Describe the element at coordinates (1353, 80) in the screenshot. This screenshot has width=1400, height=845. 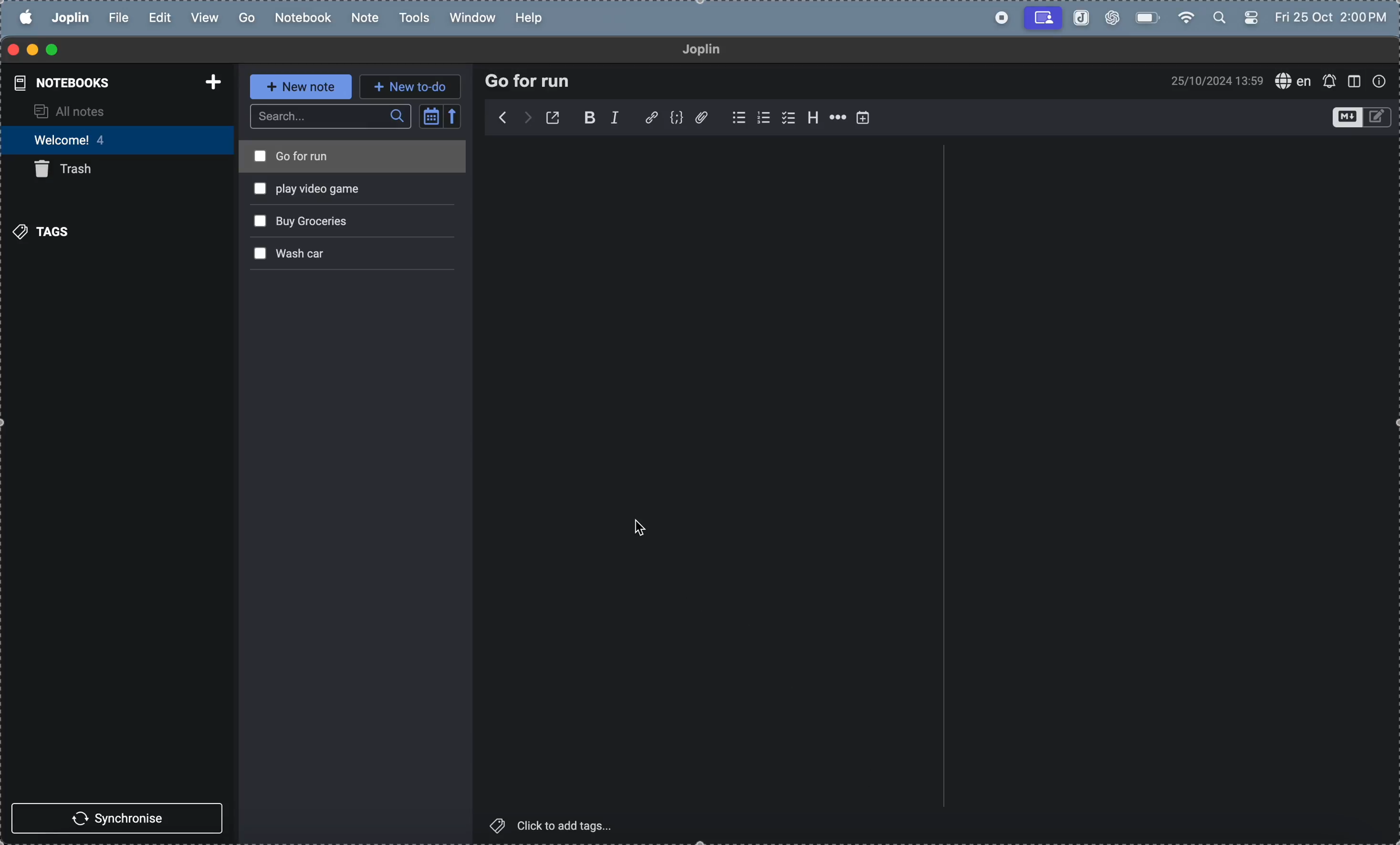
I see `toggle edit layout` at that location.